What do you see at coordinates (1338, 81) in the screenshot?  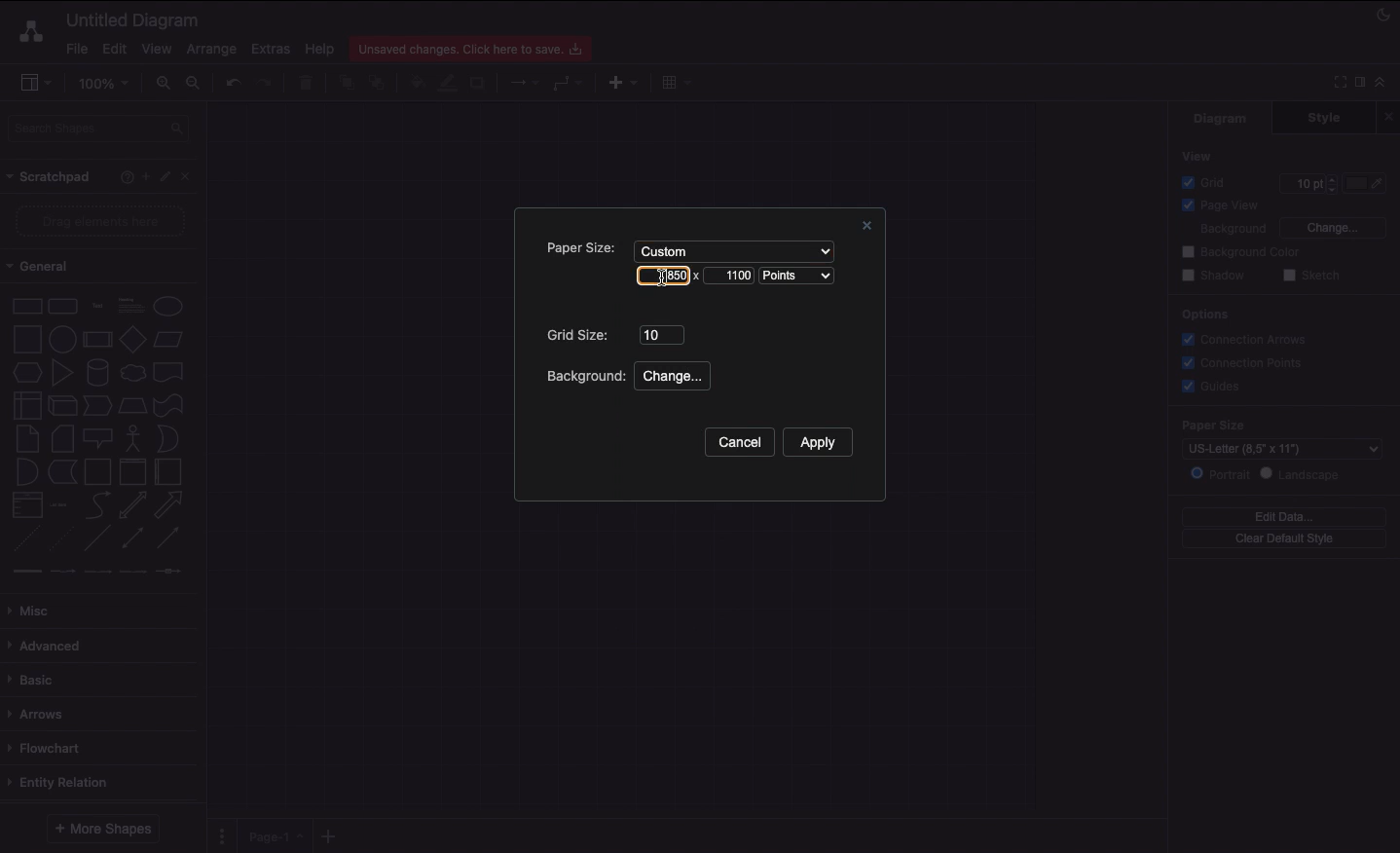 I see `Full screen` at bounding box center [1338, 81].